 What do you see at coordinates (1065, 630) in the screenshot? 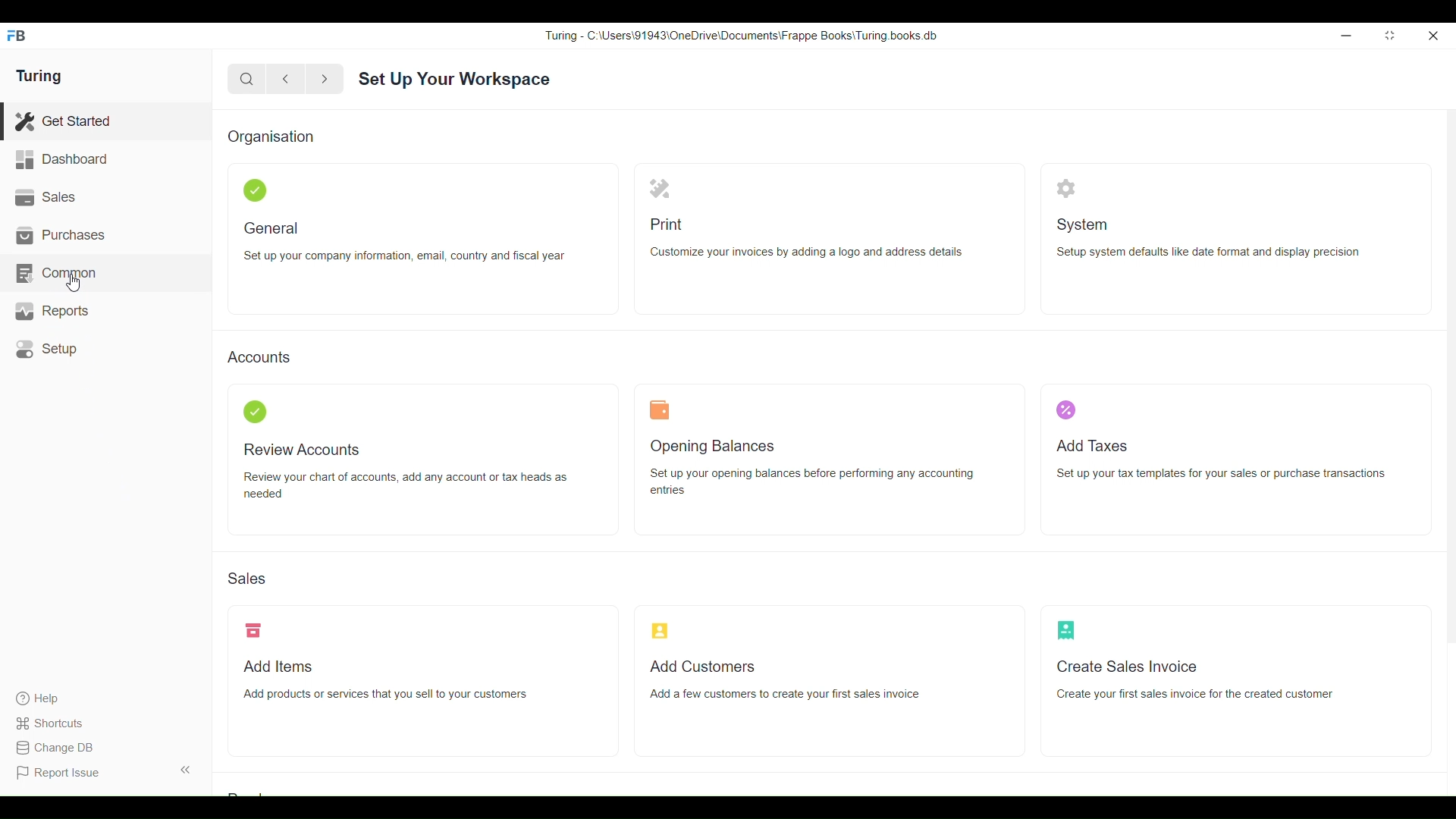
I see `Create Sales Invoice icon` at bounding box center [1065, 630].